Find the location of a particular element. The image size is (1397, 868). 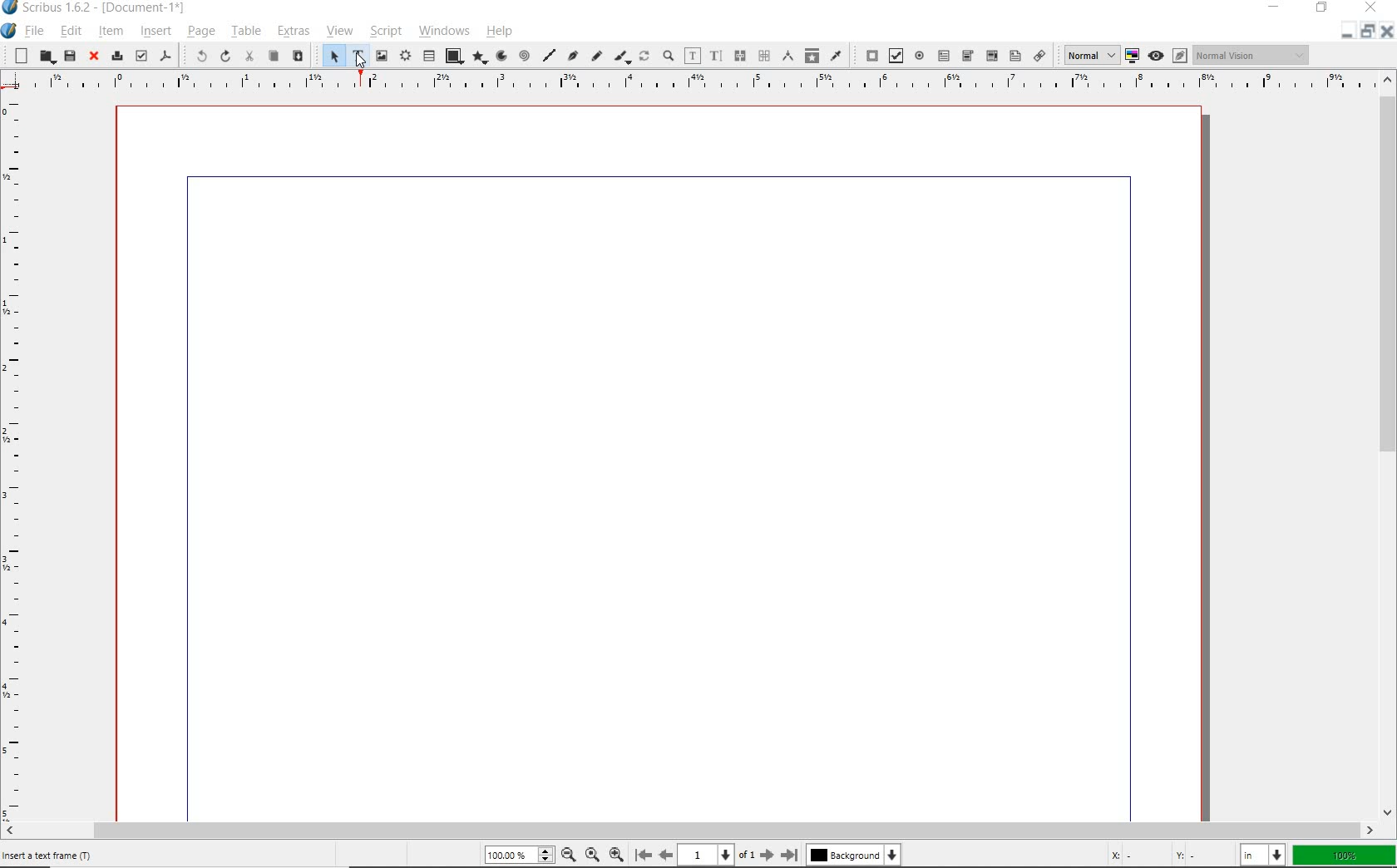

Insert a text frame (T) is located at coordinates (52, 854).